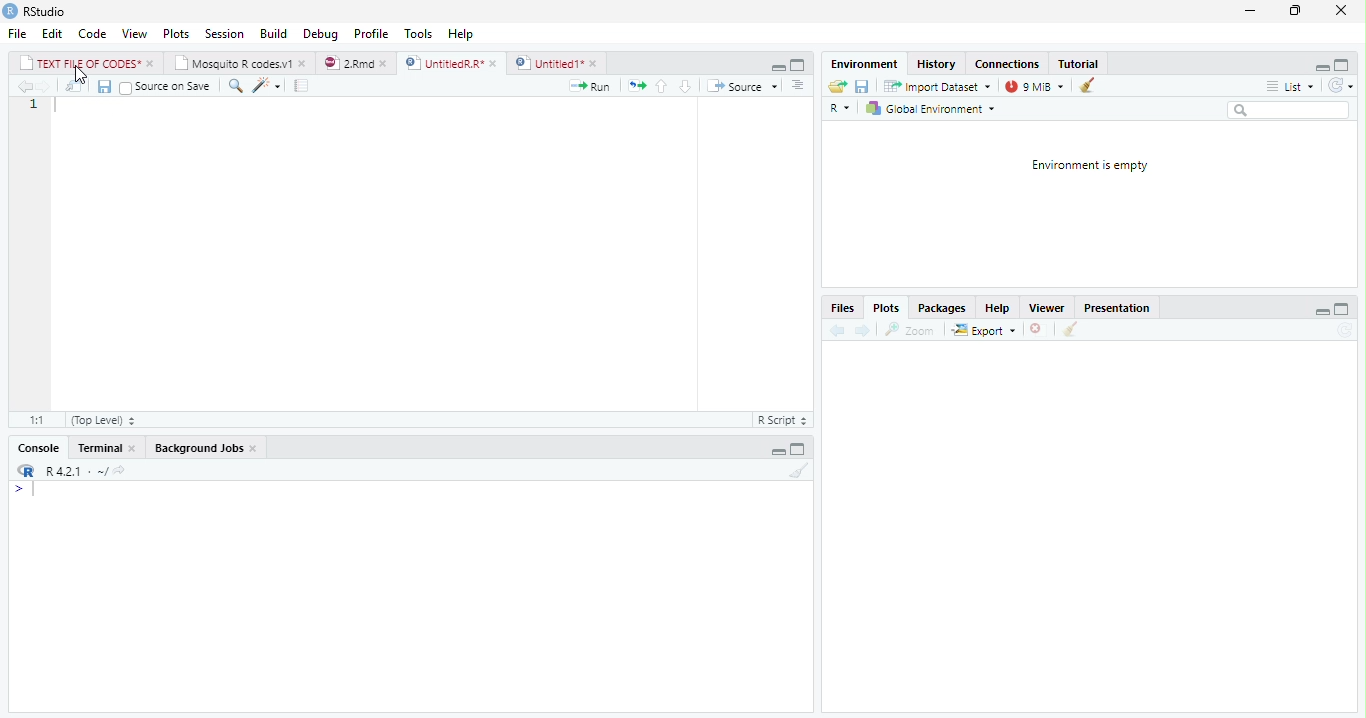  What do you see at coordinates (176, 34) in the screenshot?
I see `Plots` at bounding box center [176, 34].